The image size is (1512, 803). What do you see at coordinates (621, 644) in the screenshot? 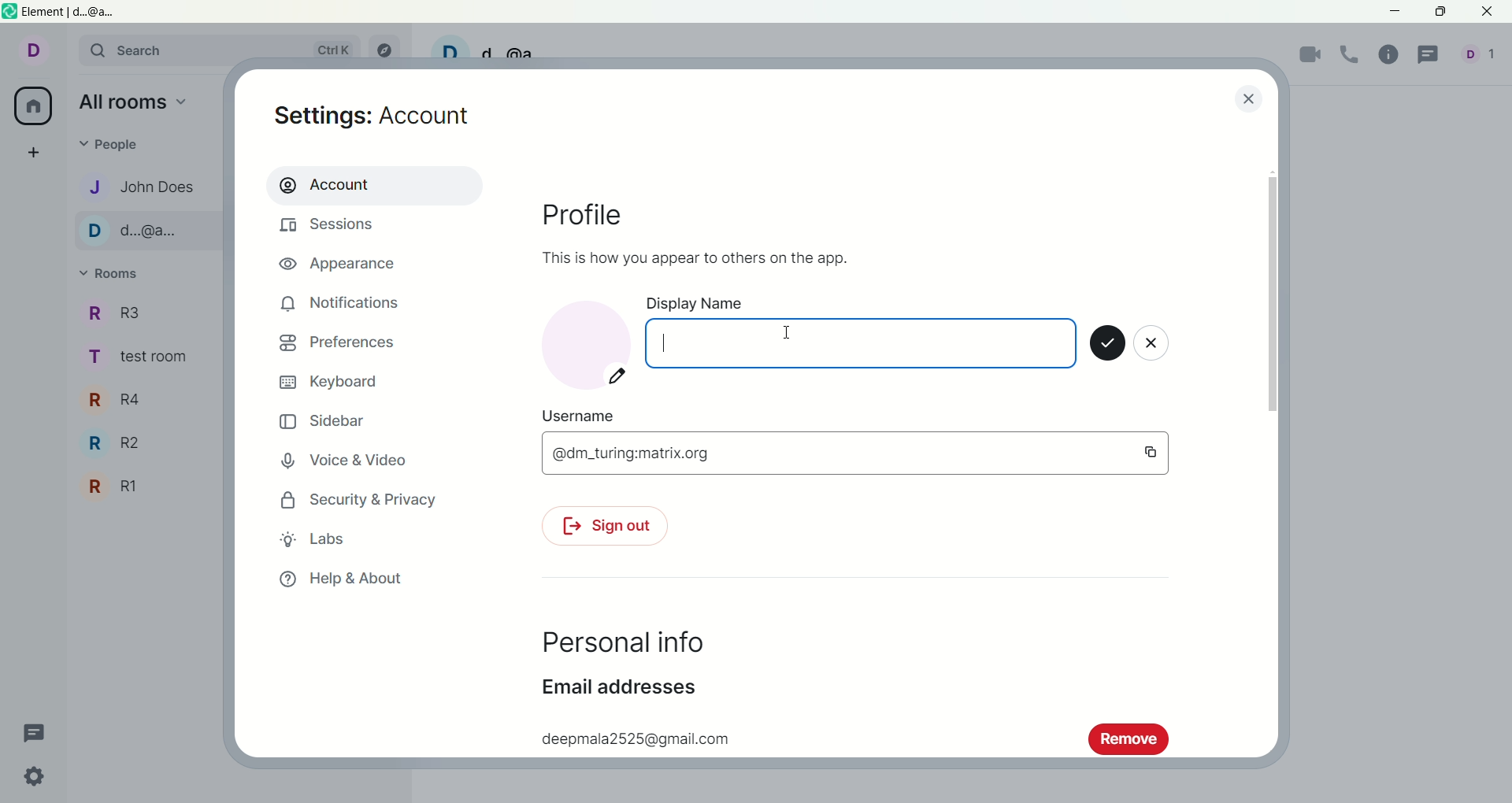
I see `personal info` at bounding box center [621, 644].